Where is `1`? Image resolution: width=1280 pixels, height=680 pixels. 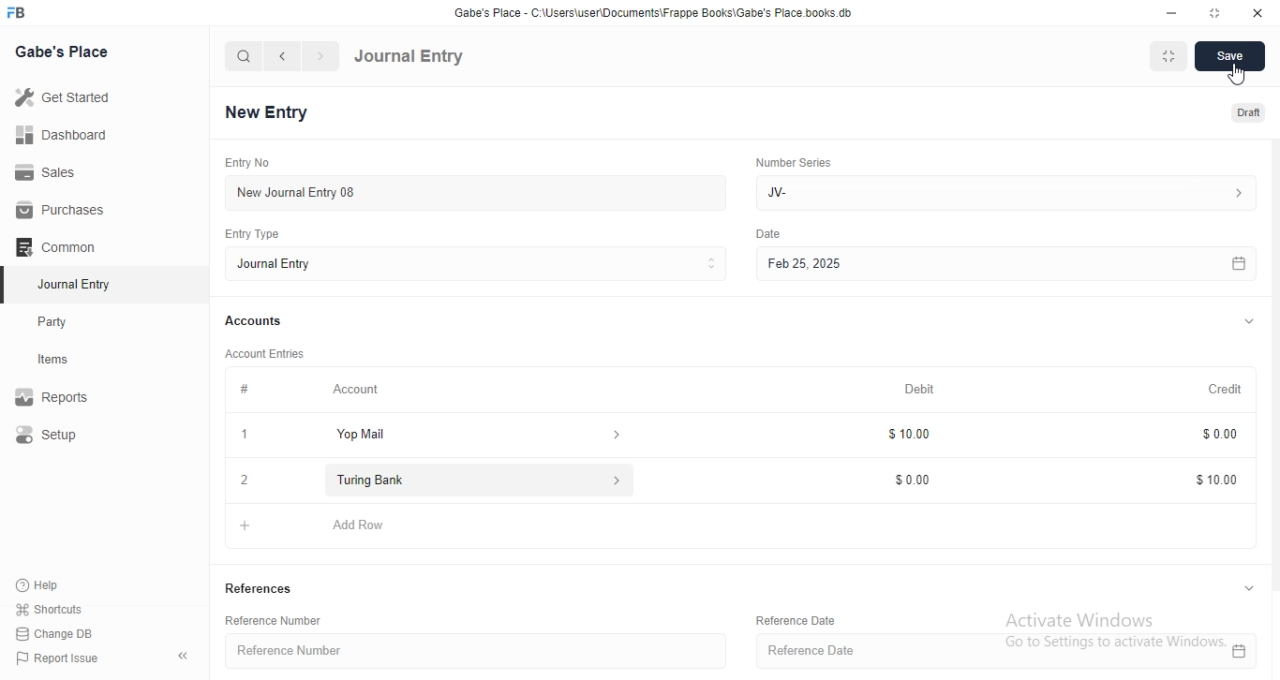
1 is located at coordinates (245, 435).